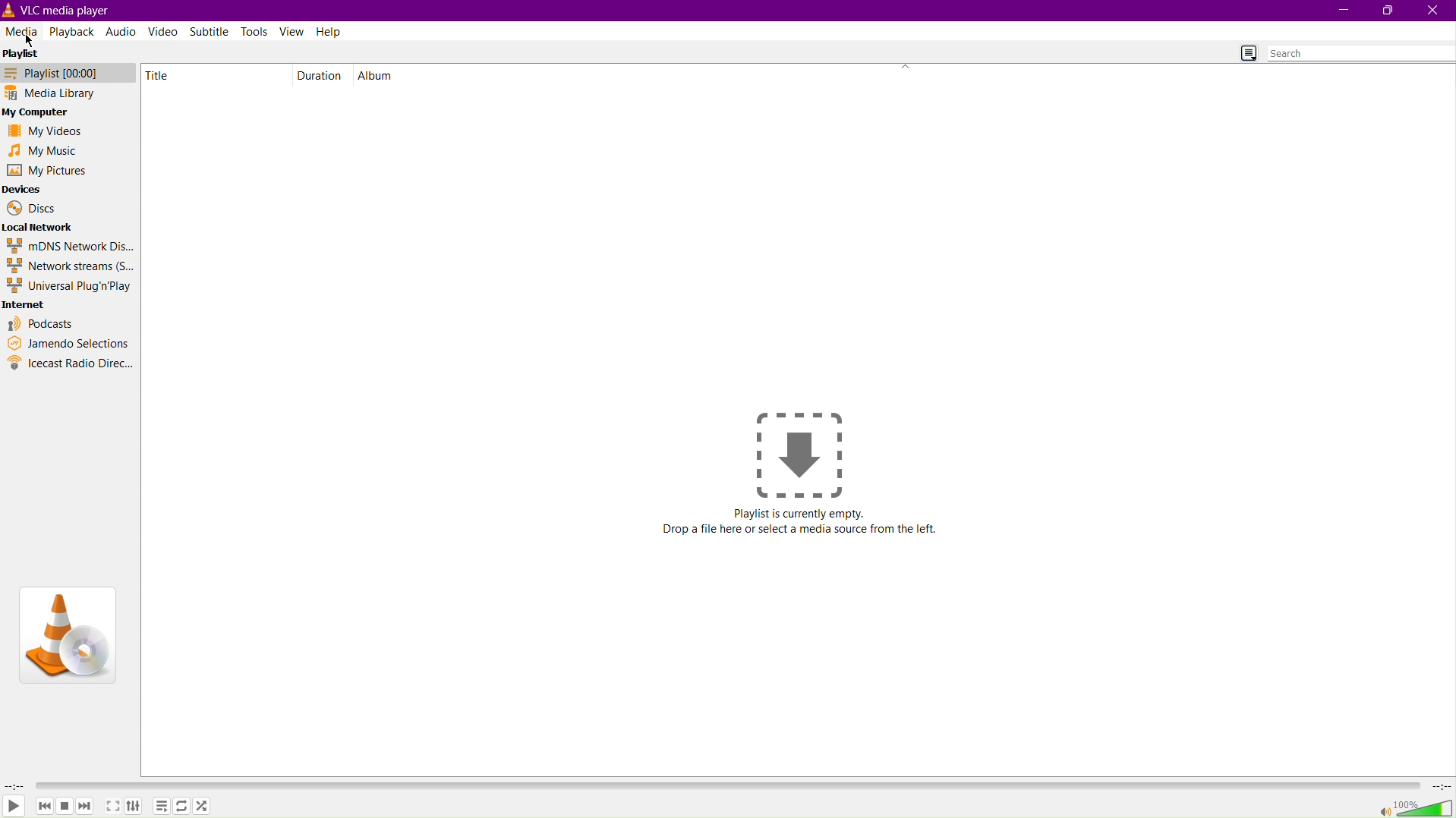  Describe the element at coordinates (14, 786) in the screenshot. I see `Played time` at that location.